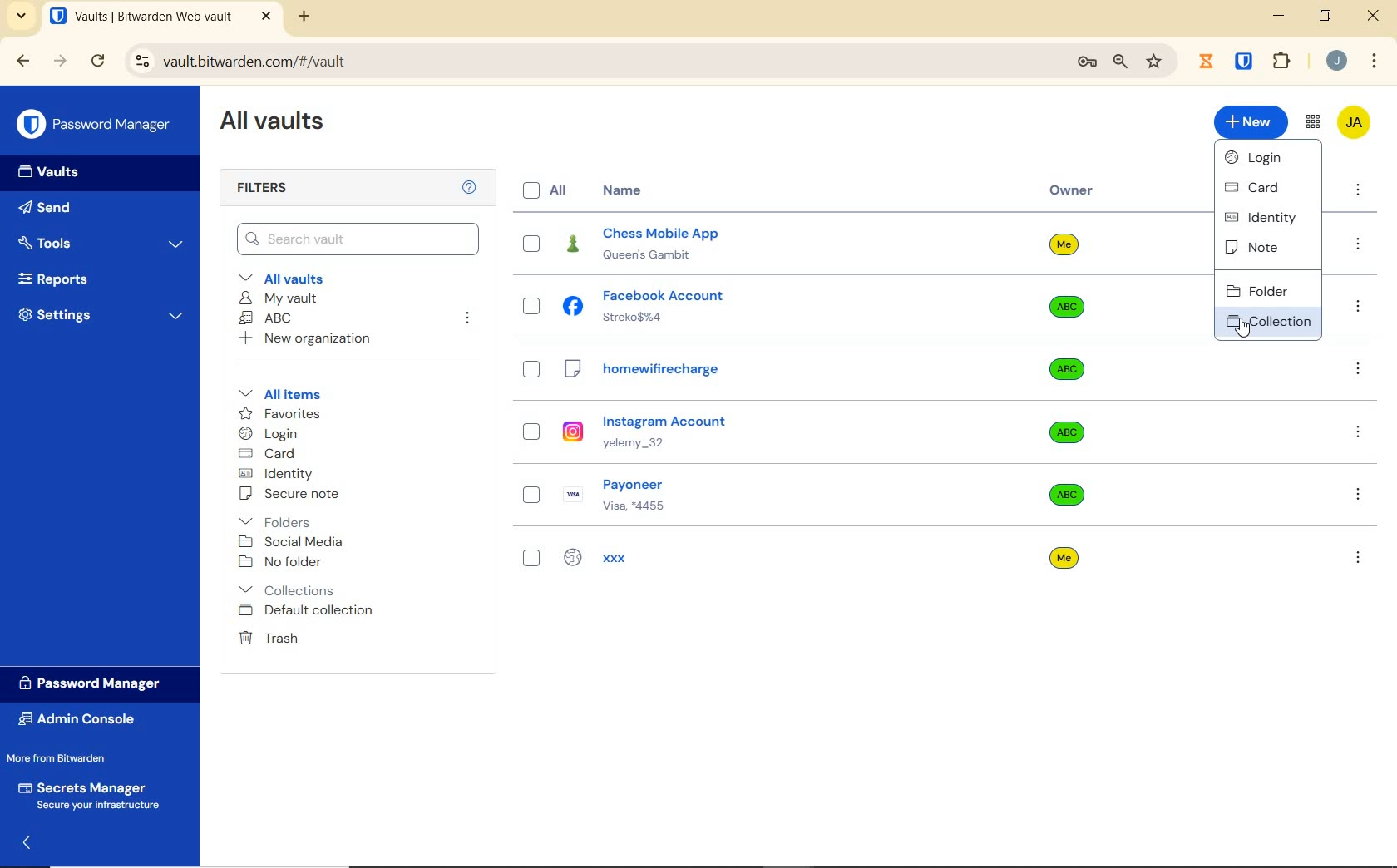 The height and width of the screenshot is (868, 1397). I want to click on bookmark, so click(1154, 62).